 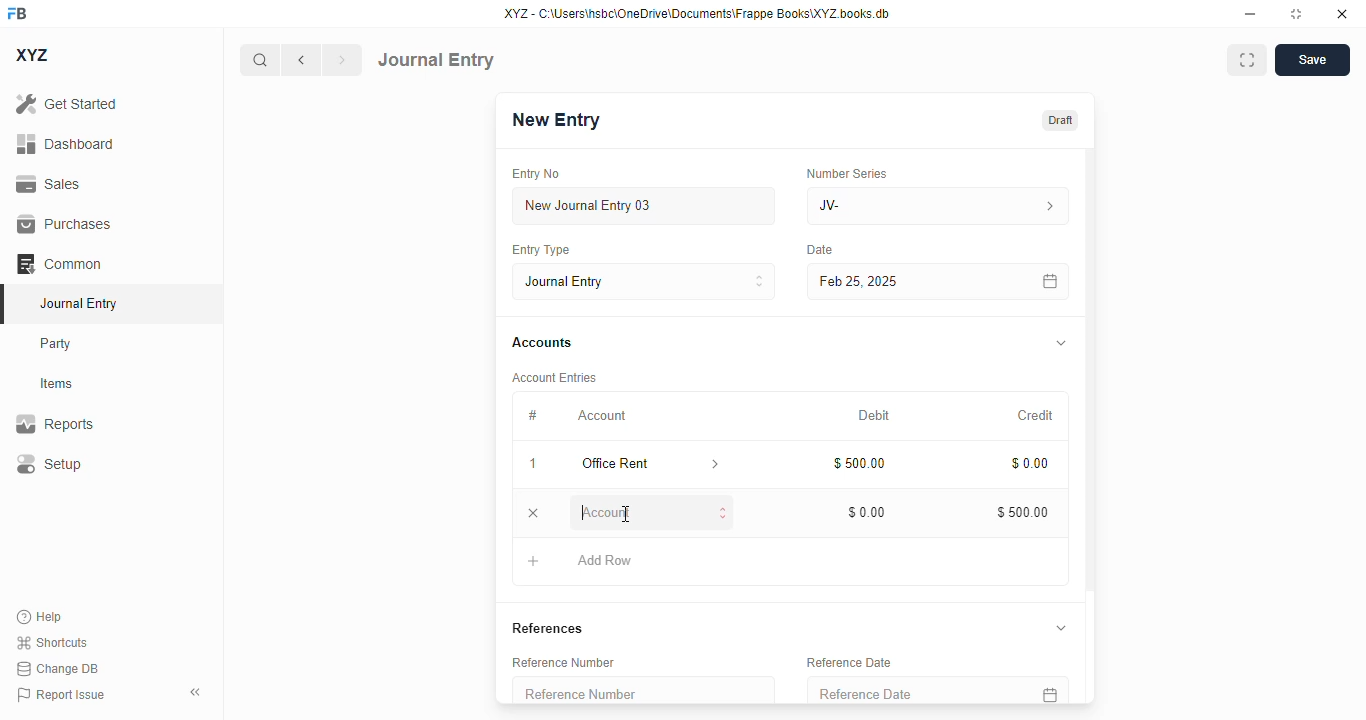 What do you see at coordinates (33, 55) in the screenshot?
I see `XYZ` at bounding box center [33, 55].